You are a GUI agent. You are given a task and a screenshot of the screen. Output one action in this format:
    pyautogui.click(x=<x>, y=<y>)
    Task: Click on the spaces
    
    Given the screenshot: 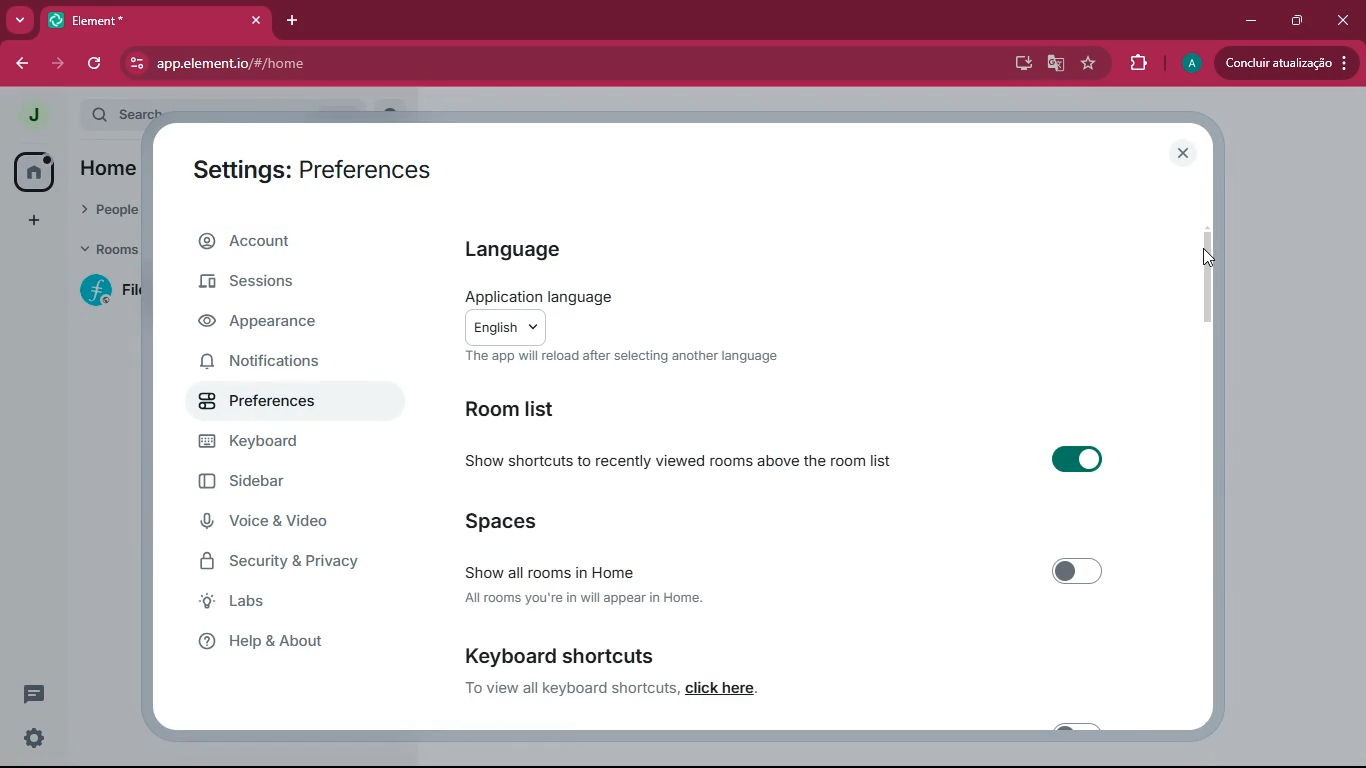 What is the action you would take?
    pyautogui.click(x=547, y=522)
    